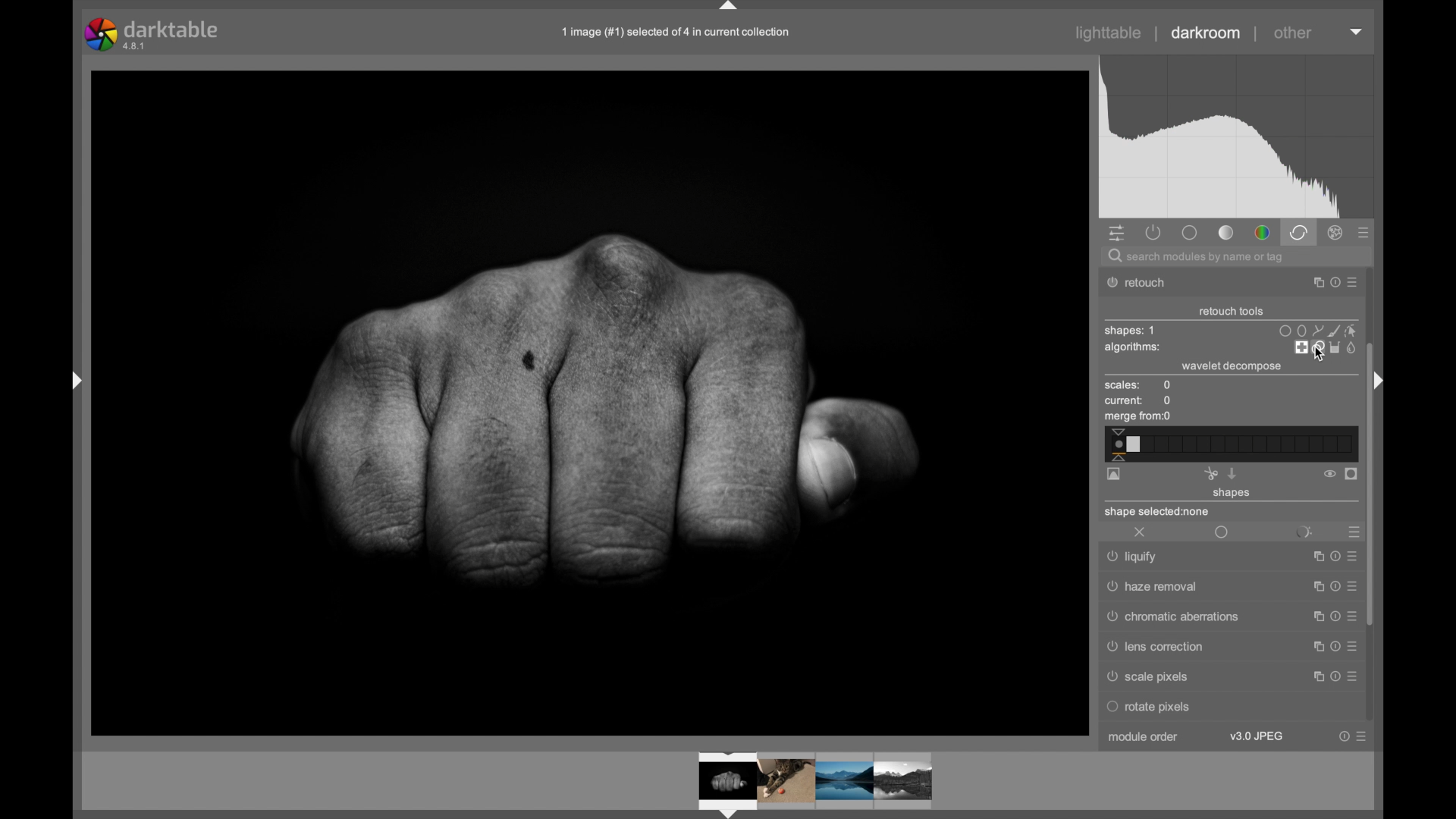 This screenshot has width=1456, height=819. What do you see at coordinates (1232, 473) in the screenshot?
I see `paste` at bounding box center [1232, 473].